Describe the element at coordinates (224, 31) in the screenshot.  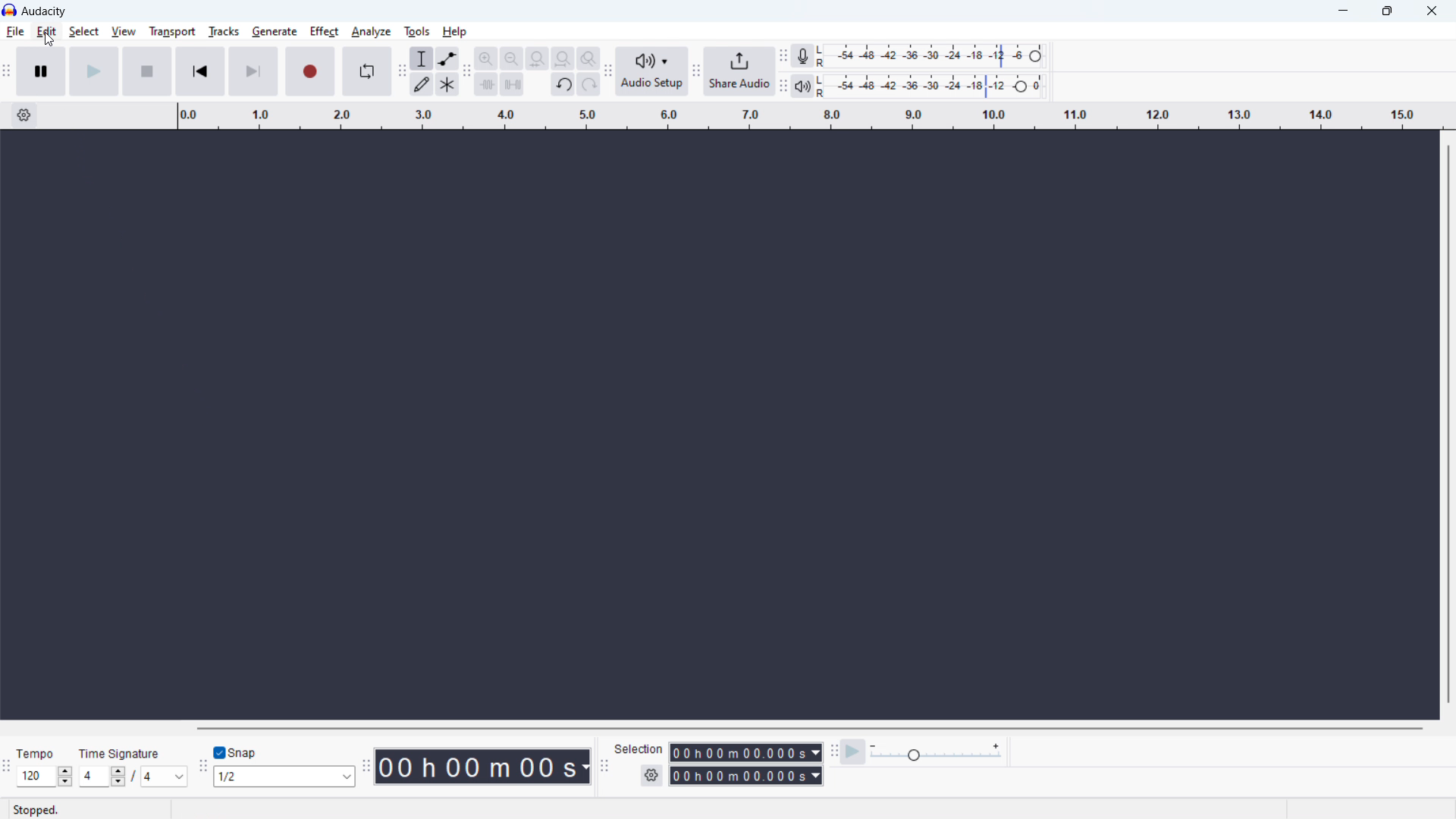
I see `tracks` at that location.